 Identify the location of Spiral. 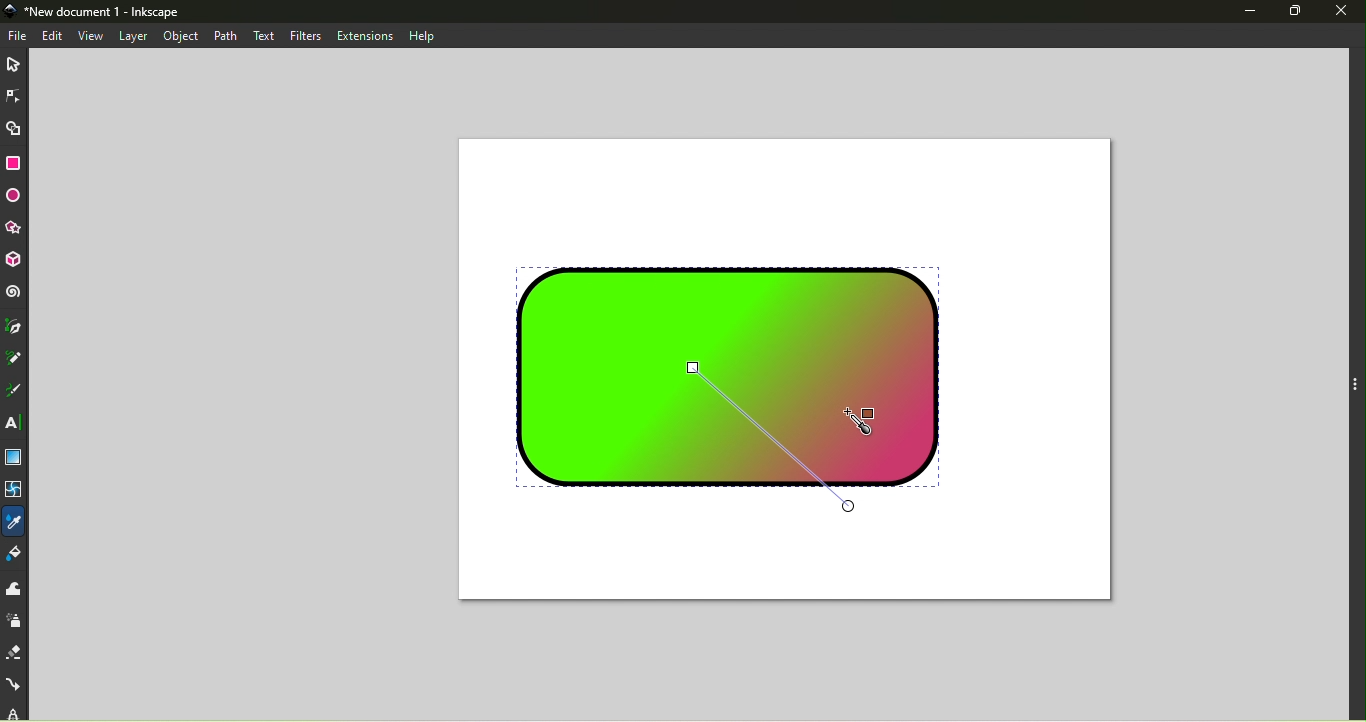
(16, 293).